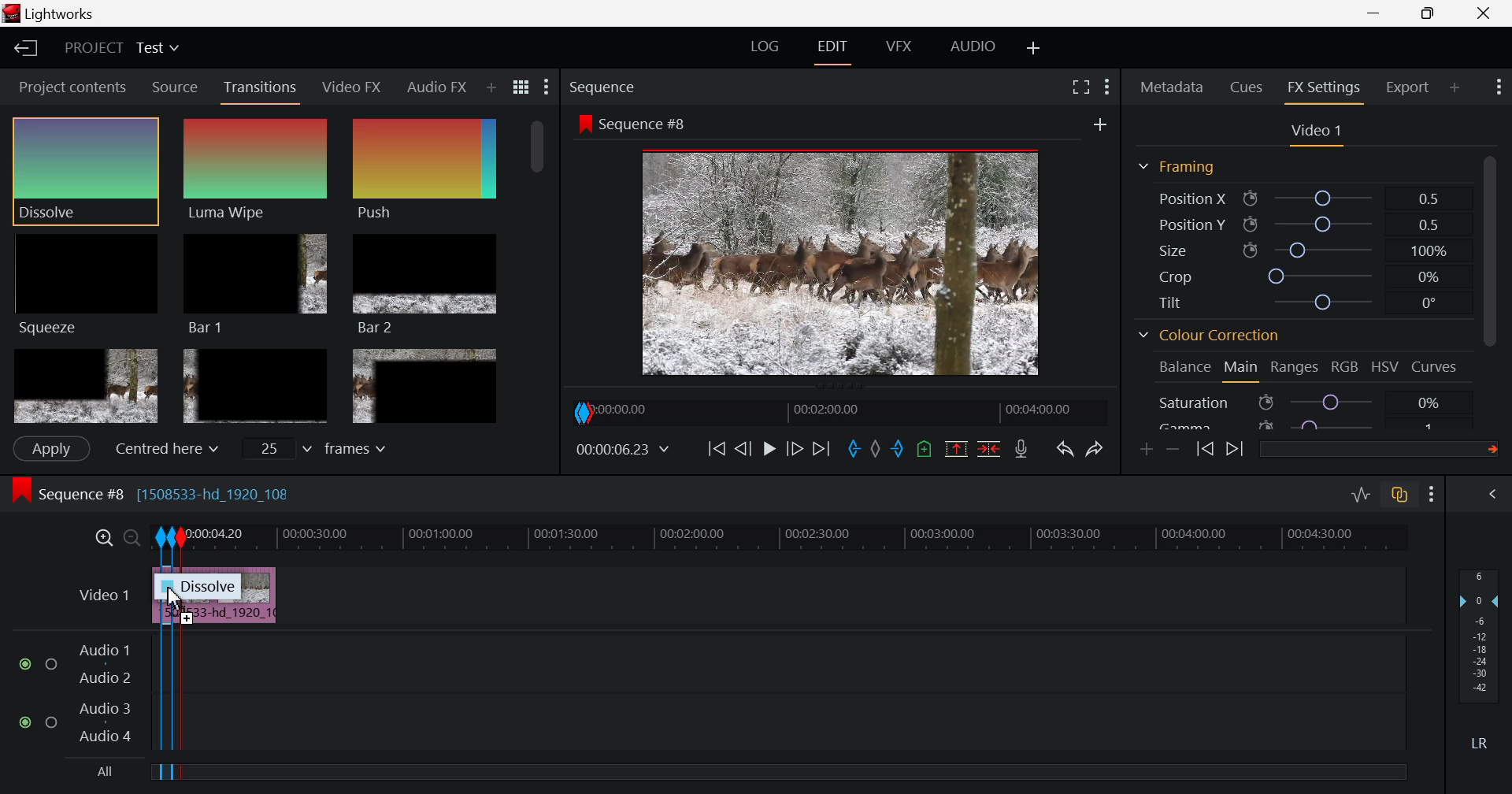 This screenshot has width=1512, height=794. What do you see at coordinates (1298, 369) in the screenshot?
I see `Ranges` at bounding box center [1298, 369].